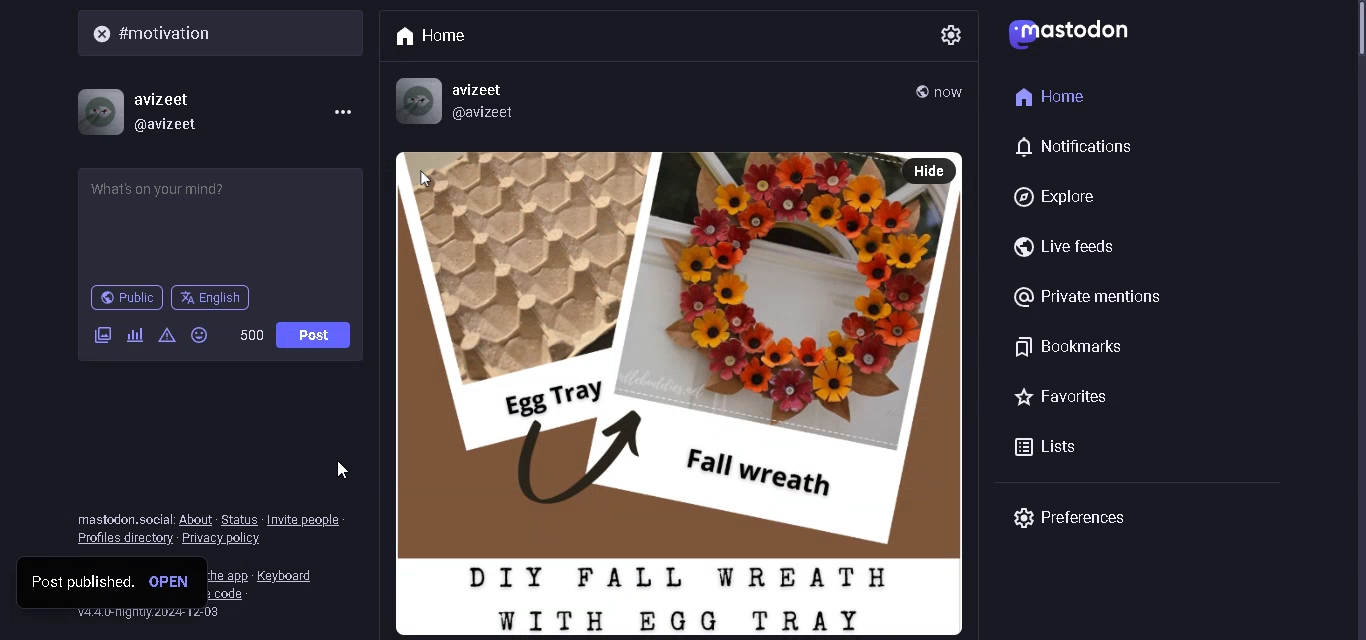 The image size is (1366, 640). What do you see at coordinates (255, 335) in the screenshot?
I see `word limit` at bounding box center [255, 335].